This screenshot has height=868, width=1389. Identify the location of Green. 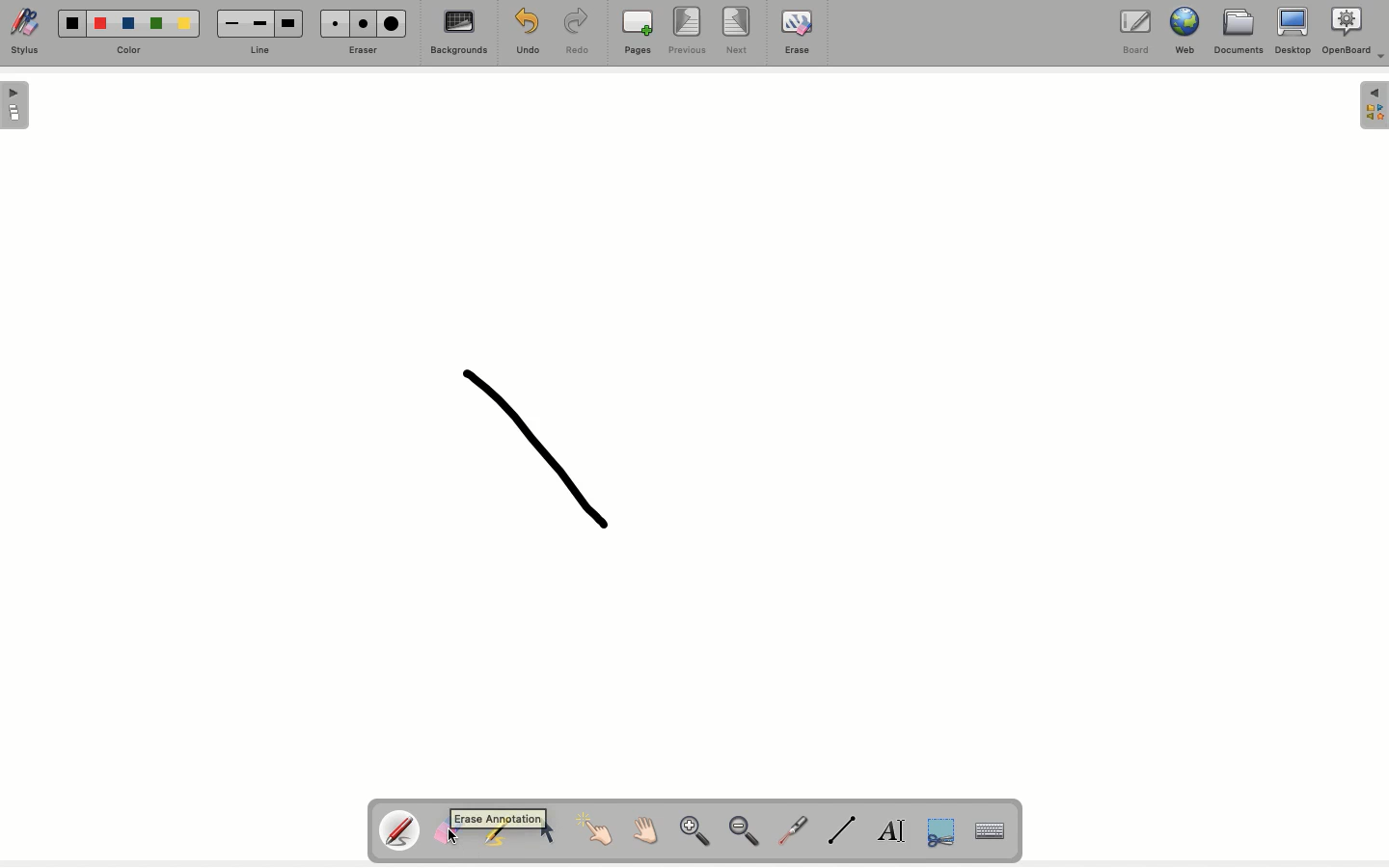
(160, 22).